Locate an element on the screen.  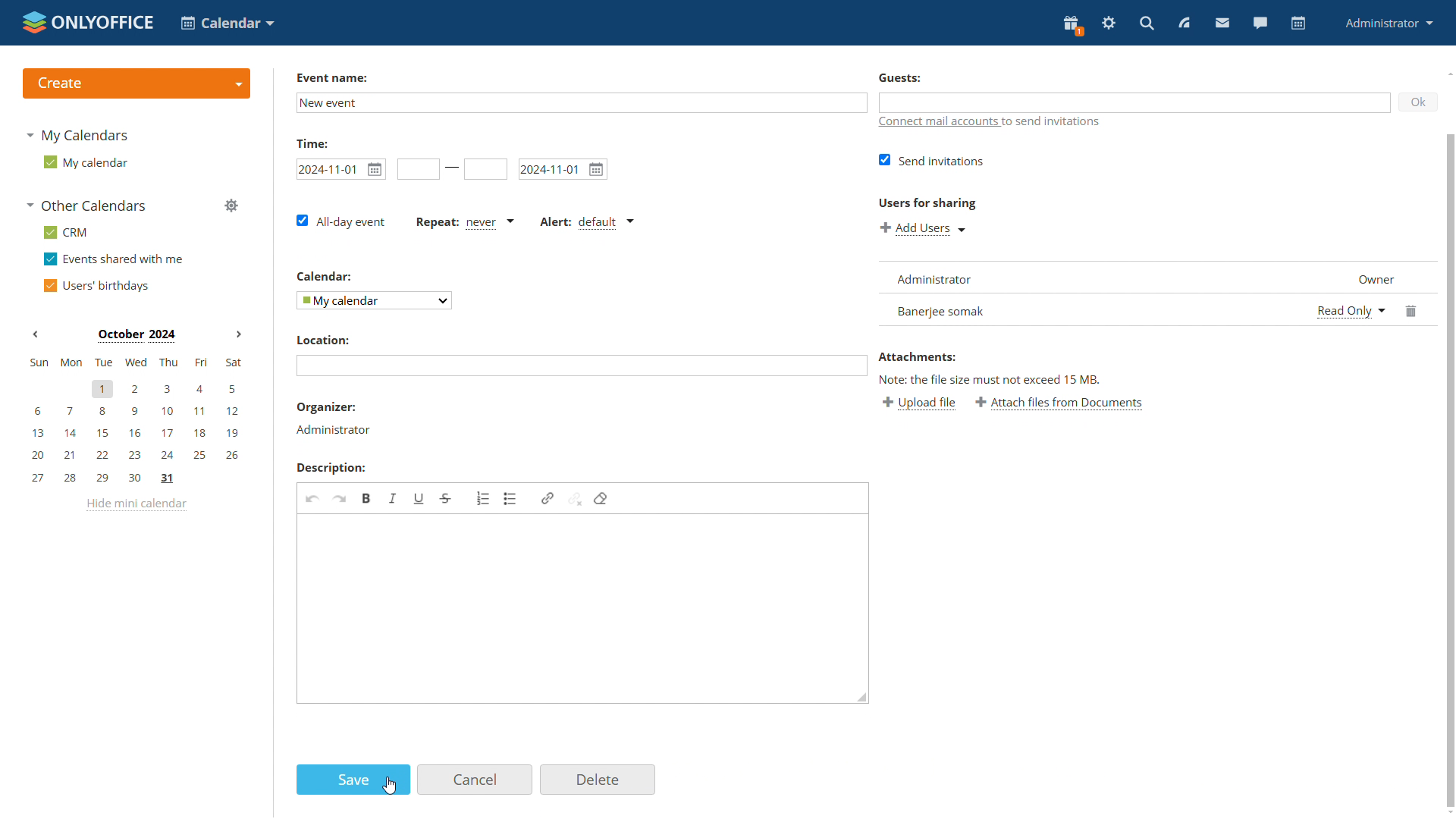
users' birthdays is located at coordinates (100, 285).